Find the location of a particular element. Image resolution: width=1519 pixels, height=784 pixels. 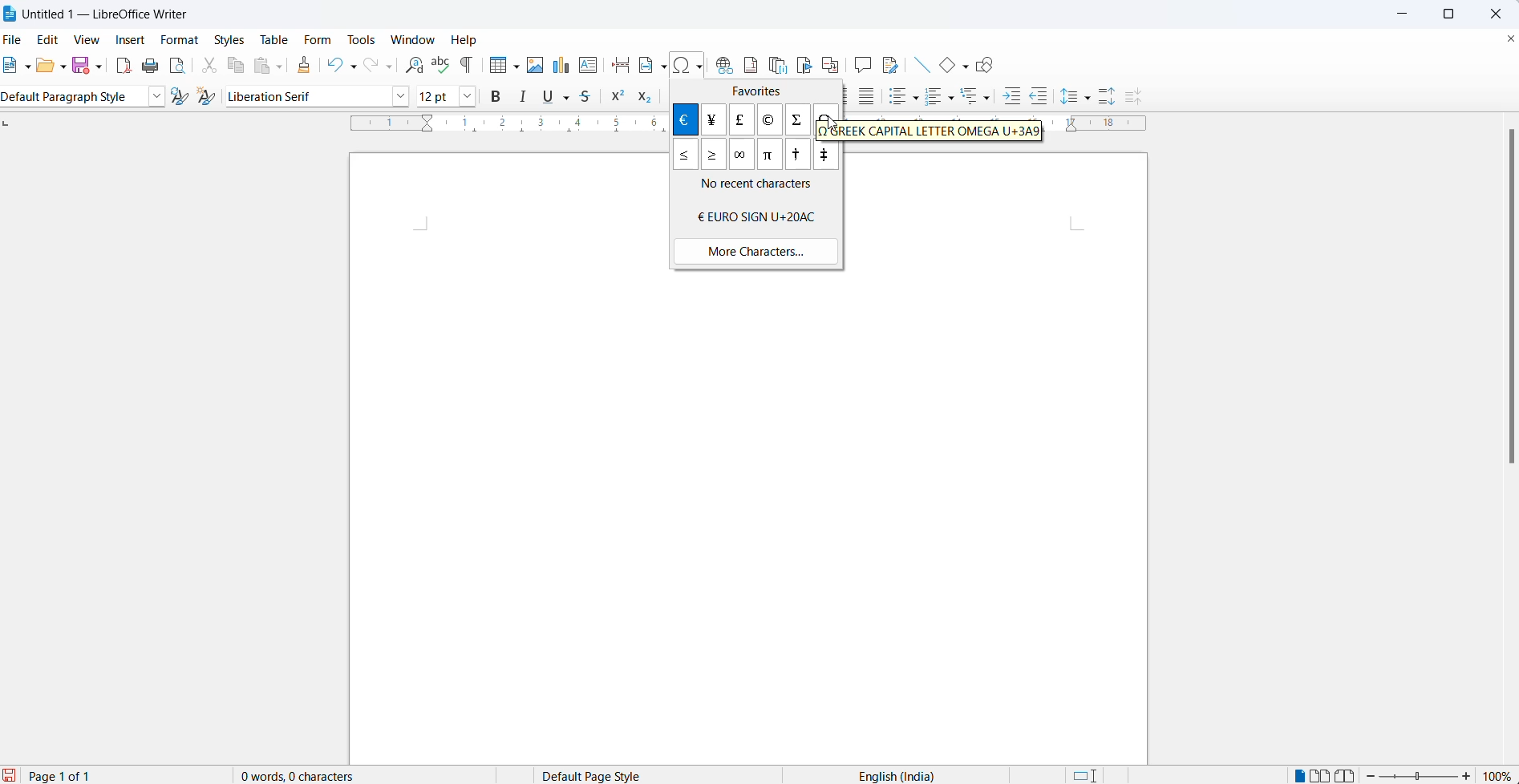

zoom increase is located at coordinates (1470, 776).